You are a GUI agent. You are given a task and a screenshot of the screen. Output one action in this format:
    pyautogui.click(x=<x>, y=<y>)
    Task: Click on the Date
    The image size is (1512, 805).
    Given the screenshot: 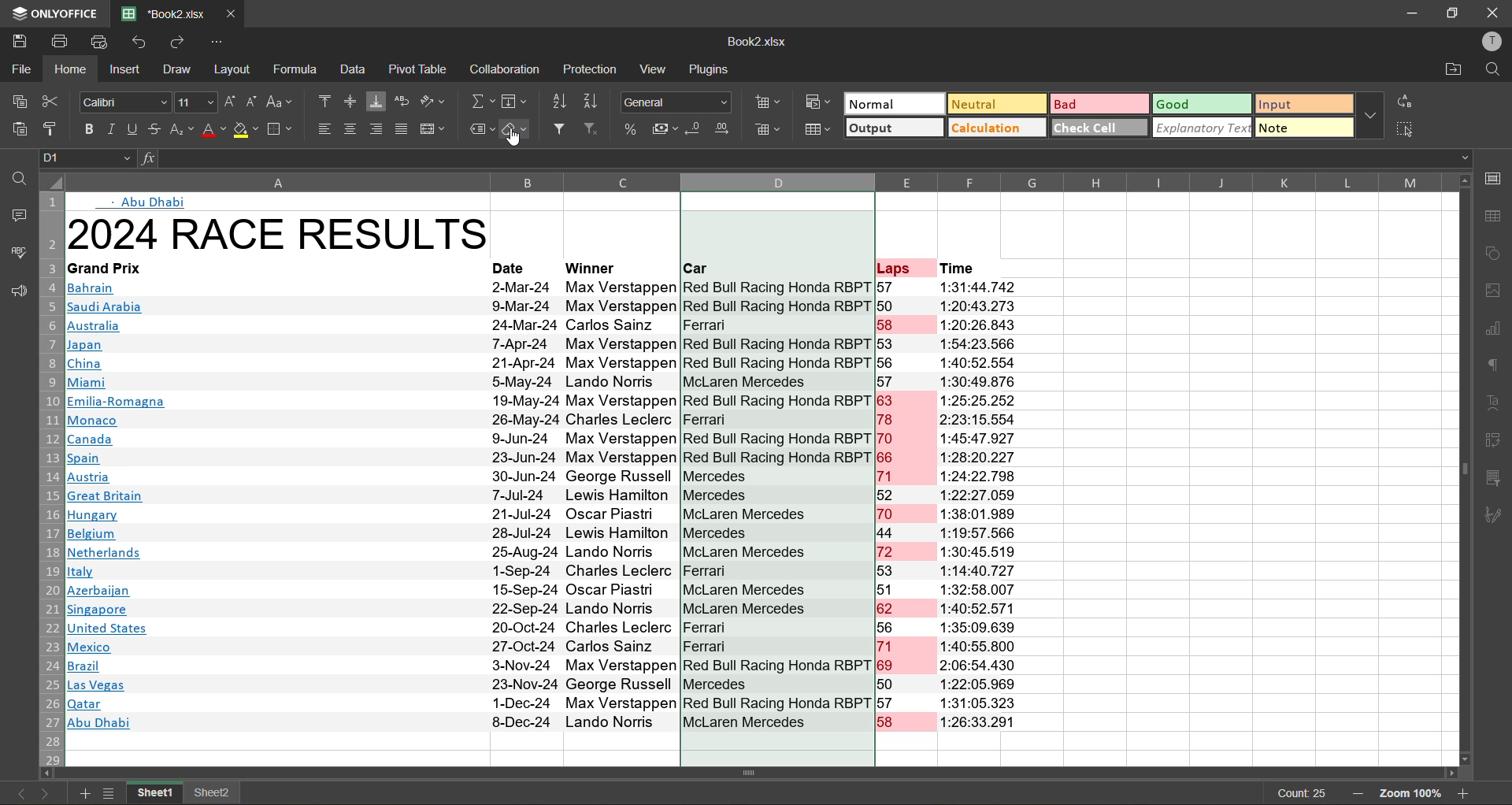 What is the action you would take?
    pyautogui.click(x=509, y=269)
    